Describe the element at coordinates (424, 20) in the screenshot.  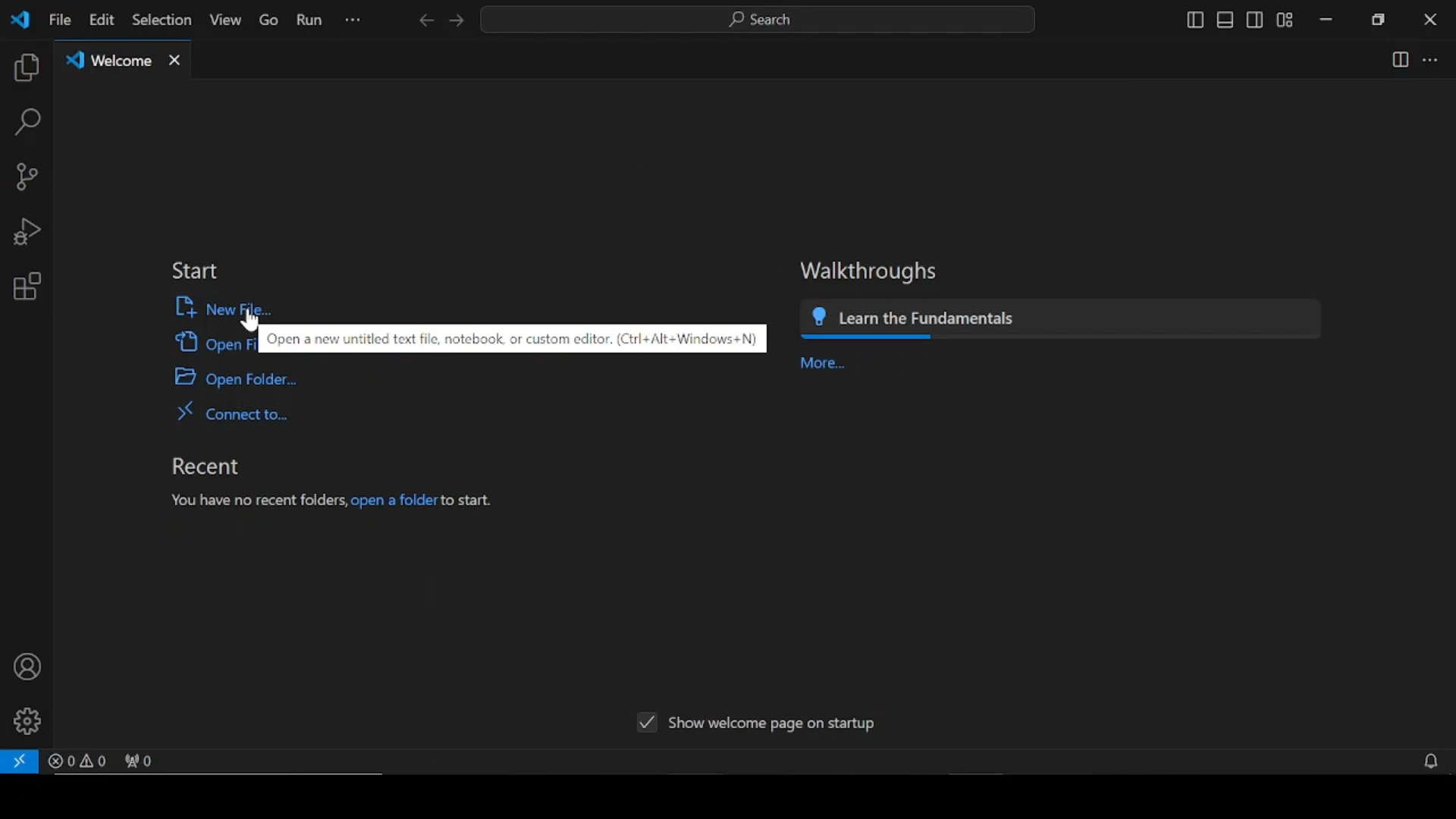
I see `previous` at that location.